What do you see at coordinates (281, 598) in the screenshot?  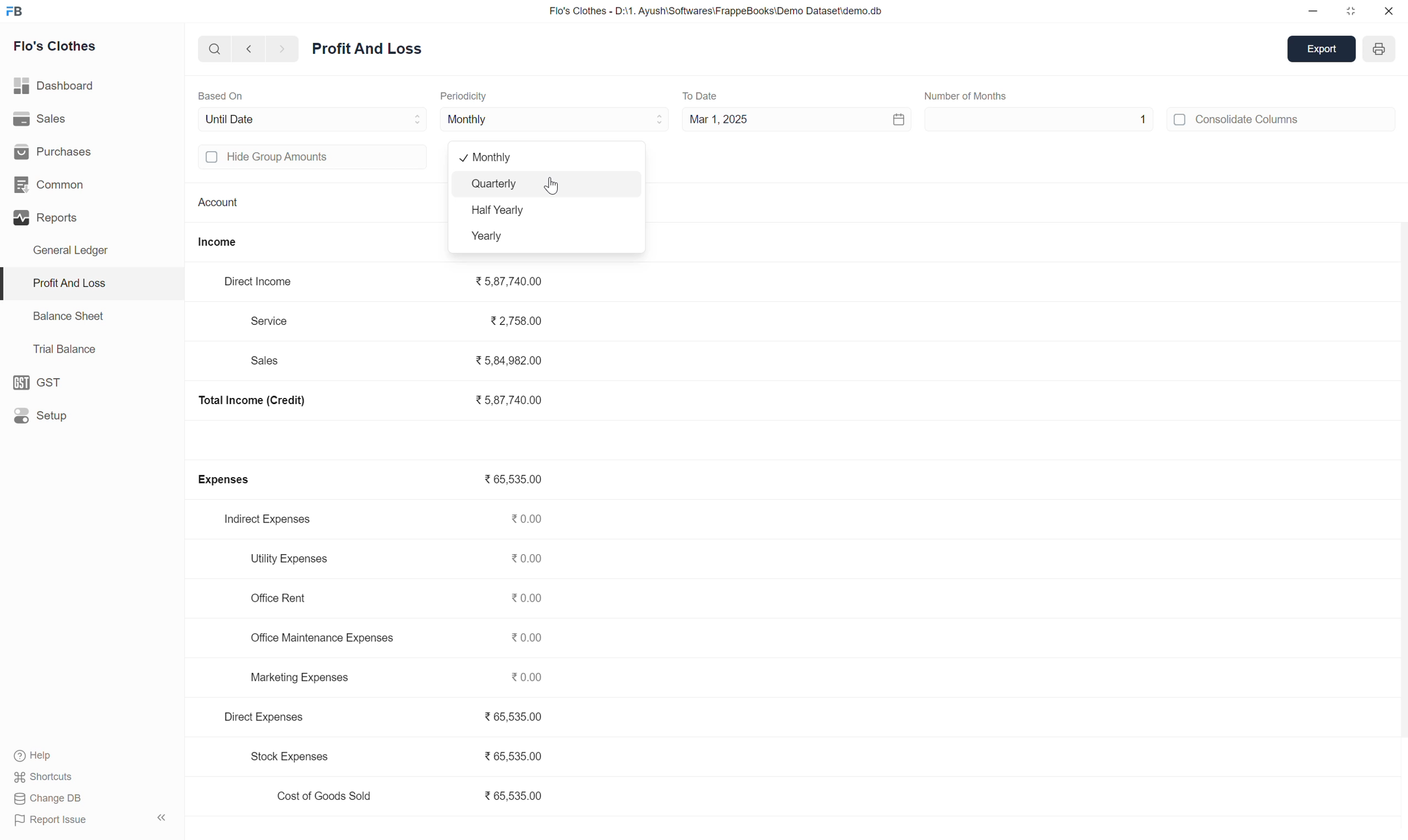 I see `Office Rent` at bounding box center [281, 598].